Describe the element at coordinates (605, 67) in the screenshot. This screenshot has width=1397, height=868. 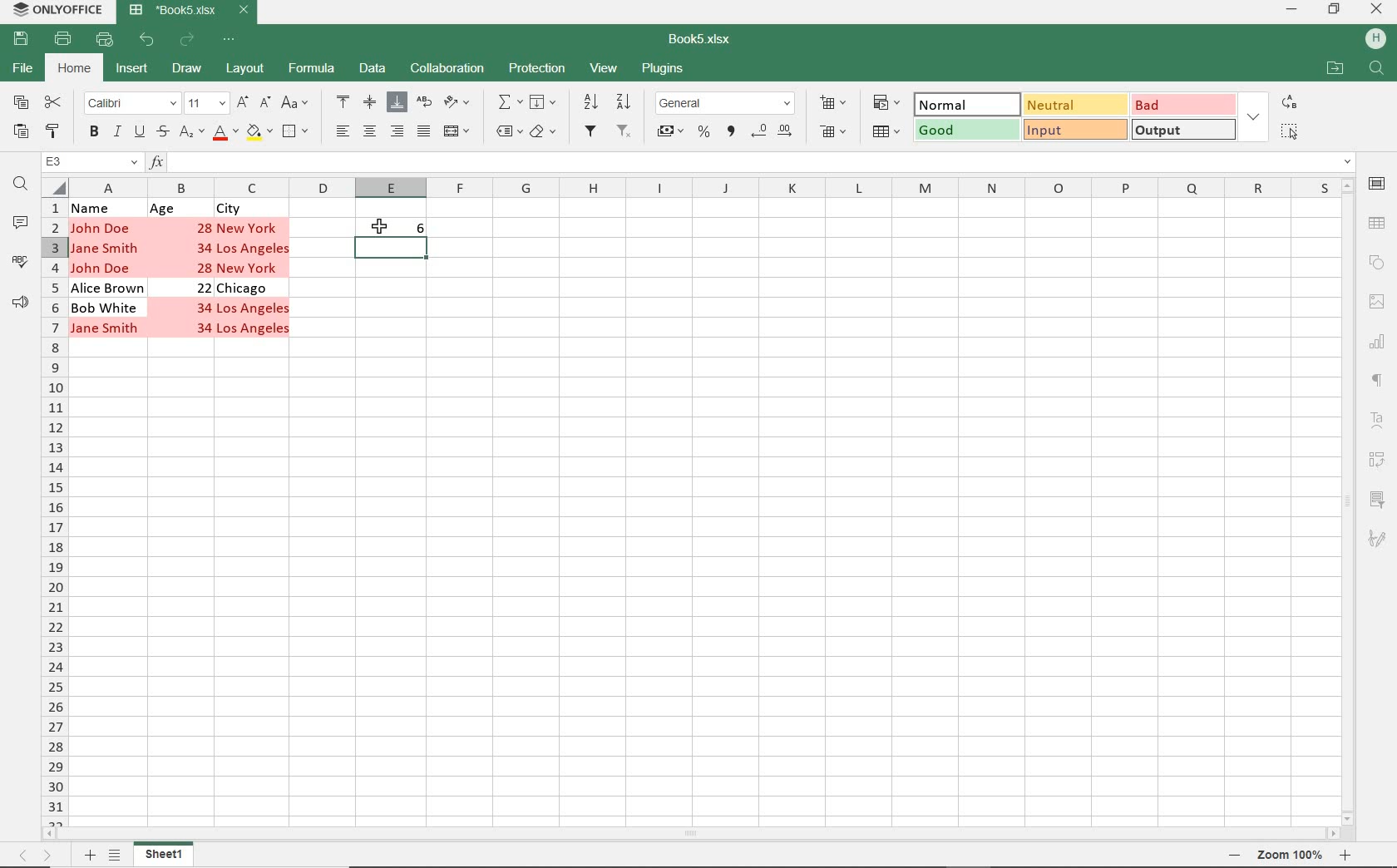
I see `VIEW` at that location.